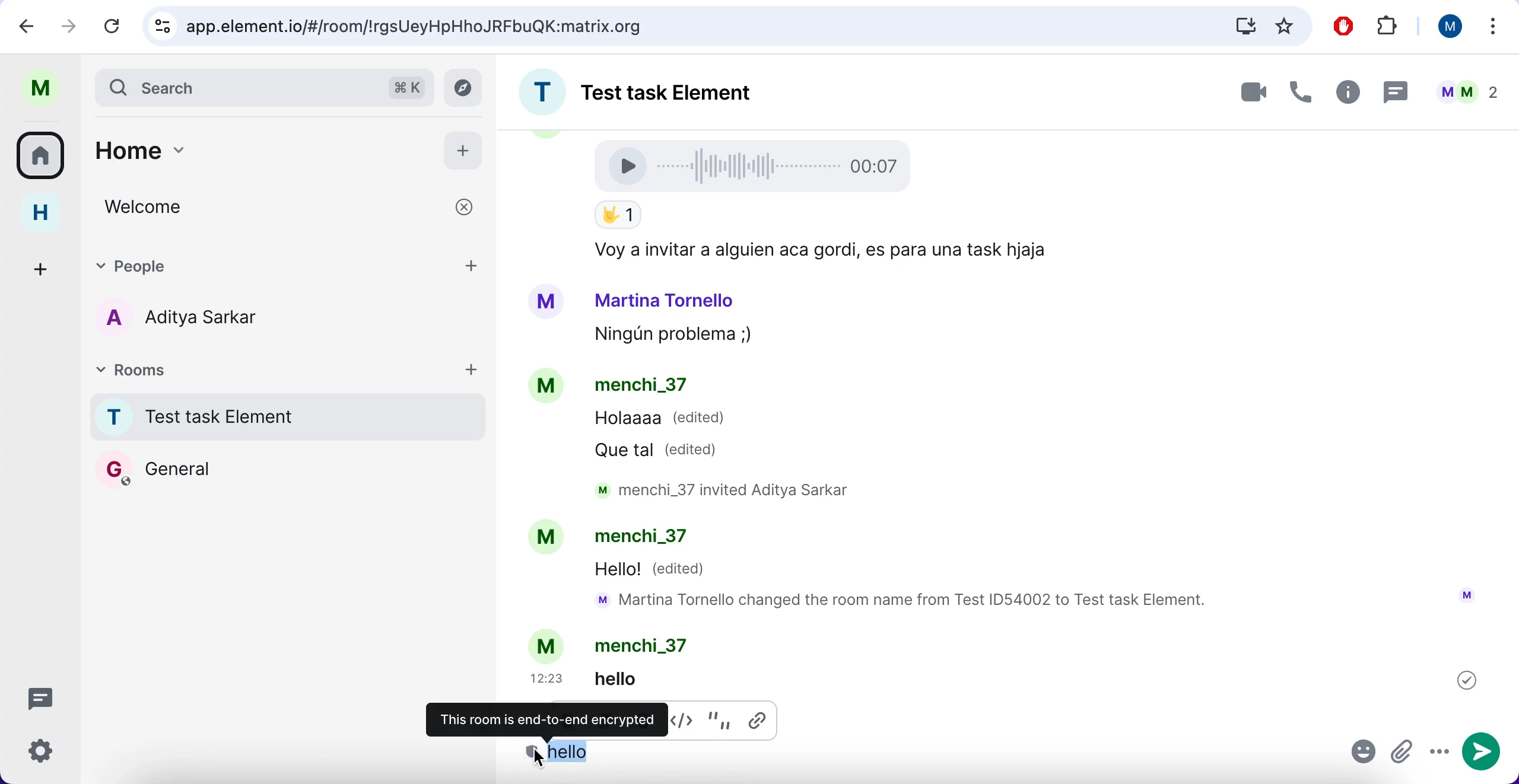  Describe the element at coordinates (1445, 26) in the screenshot. I see `user` at that location.